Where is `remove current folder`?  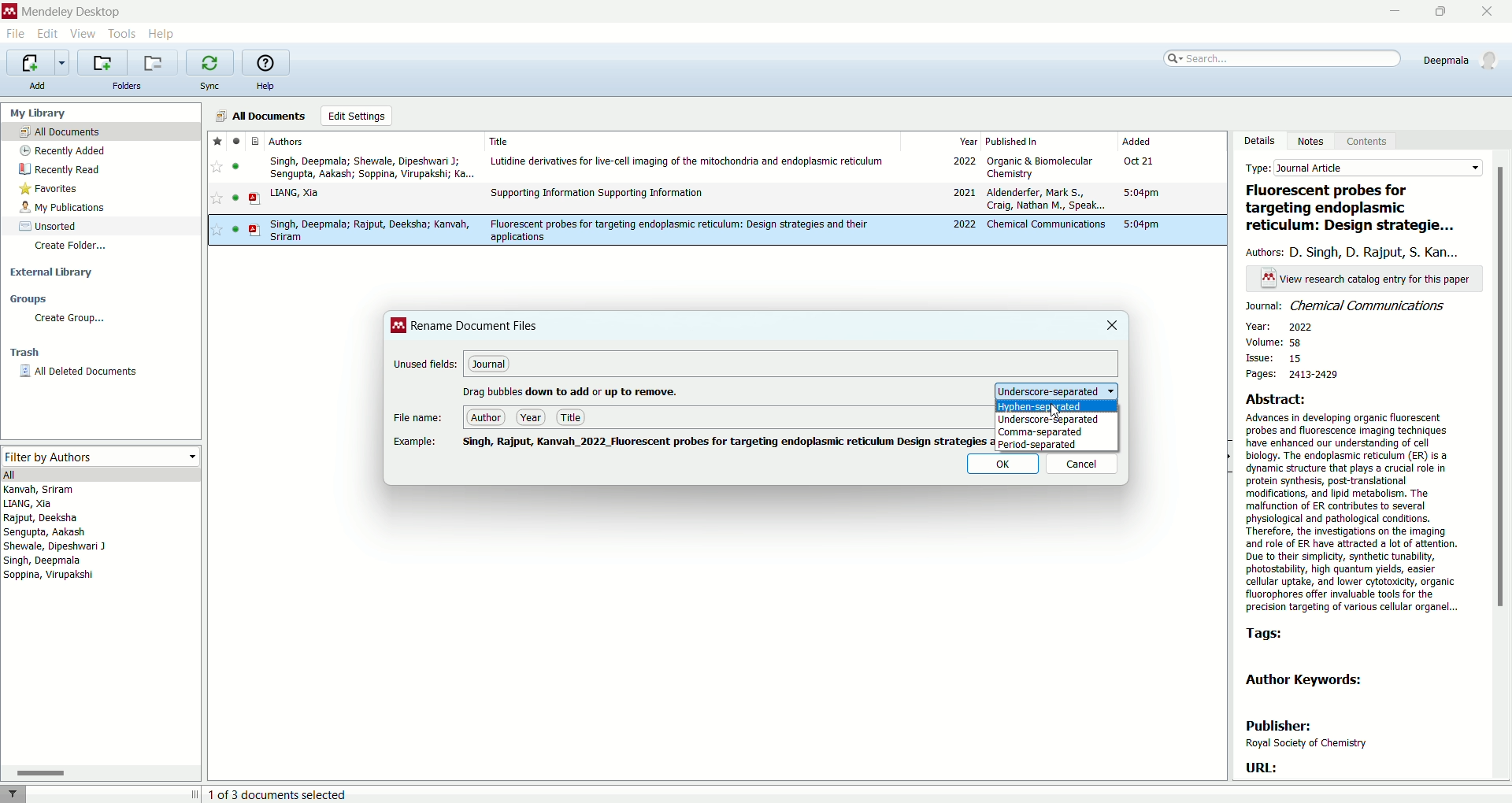 remove current folder is located at coordinates (155, 63).